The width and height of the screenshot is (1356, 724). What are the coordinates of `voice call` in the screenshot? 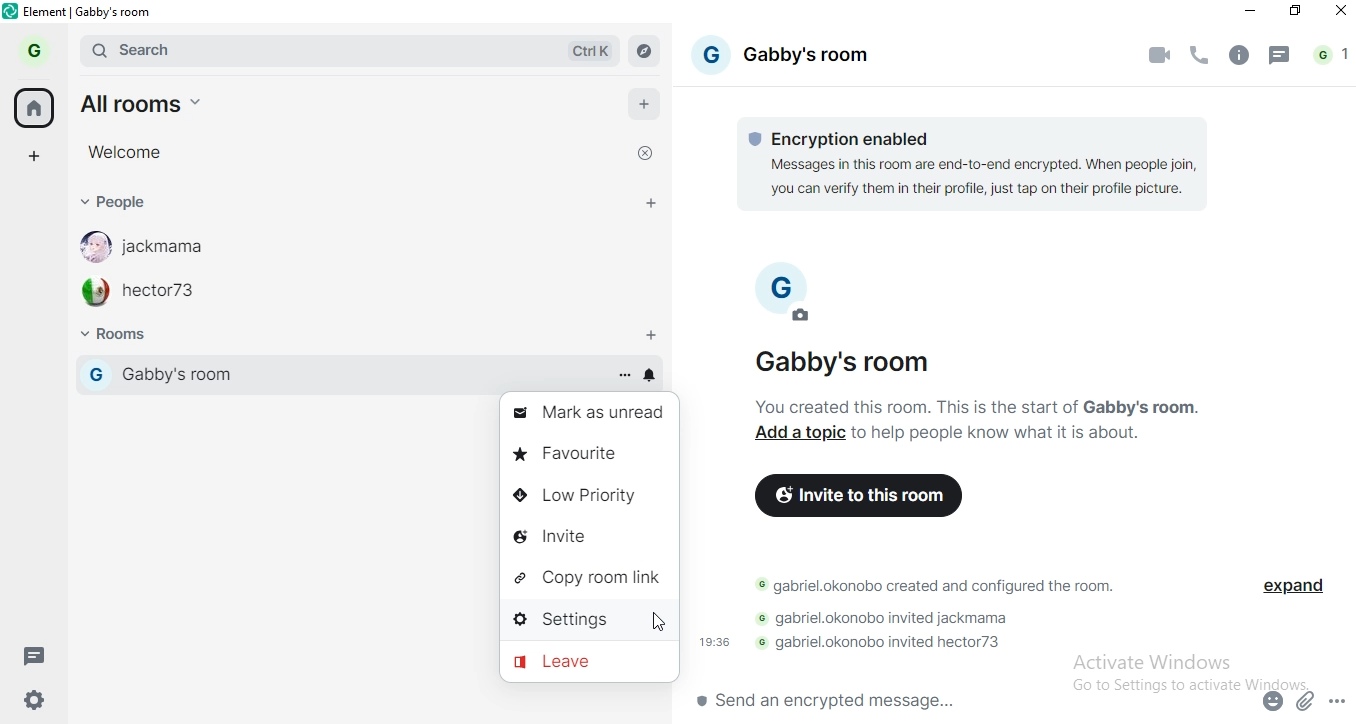 It's located at (1198, 52).